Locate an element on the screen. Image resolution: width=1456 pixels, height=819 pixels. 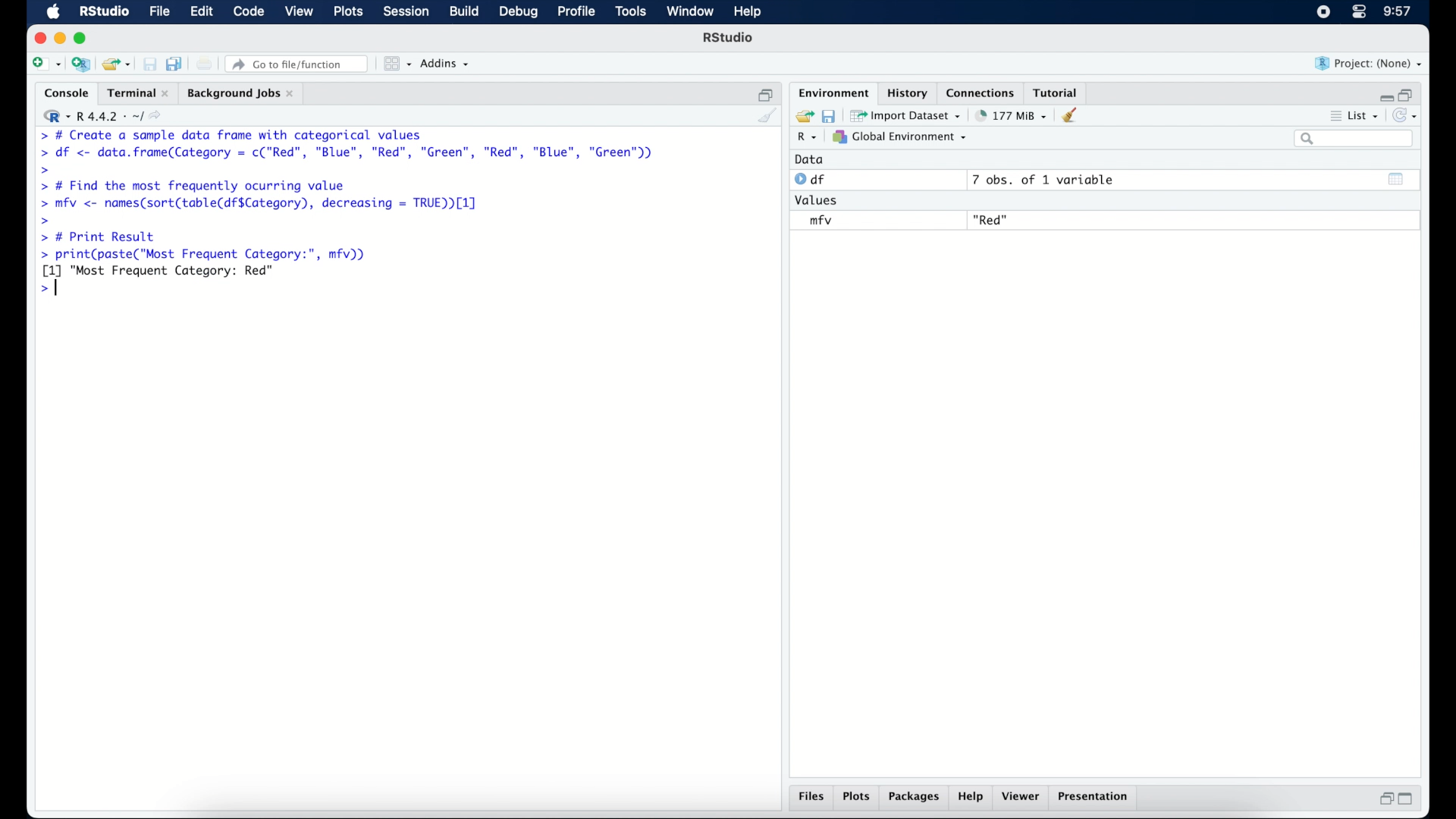
clear console is located at coordinates (768, 116).